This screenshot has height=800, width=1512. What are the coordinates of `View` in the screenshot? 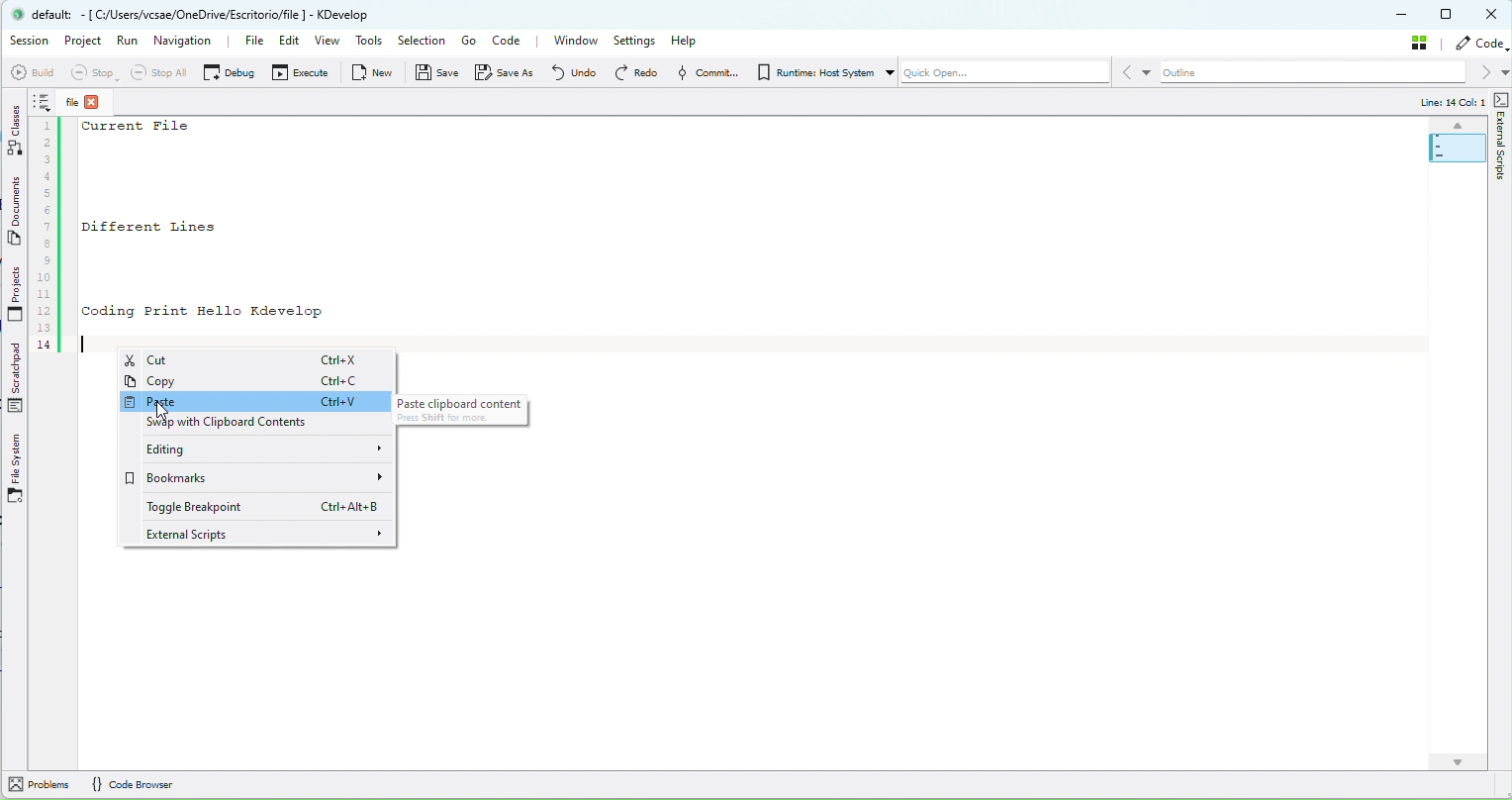 It's located at (330, 43).